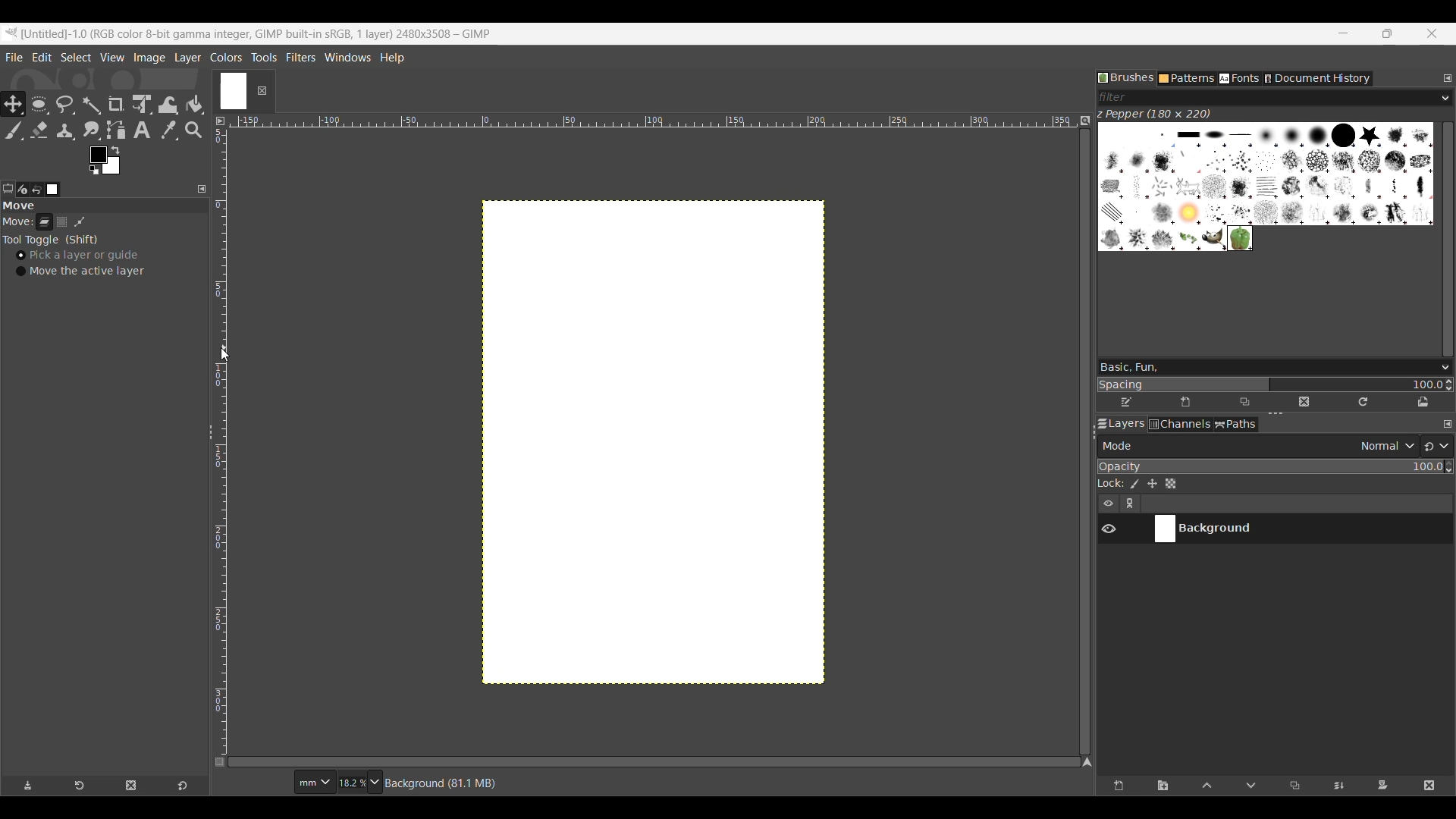 The height and width of the screenshot is (819, 1456). Describe the element at coordinates (11, 130) in the screenshot. I see `Paintbrush tool` at that location.